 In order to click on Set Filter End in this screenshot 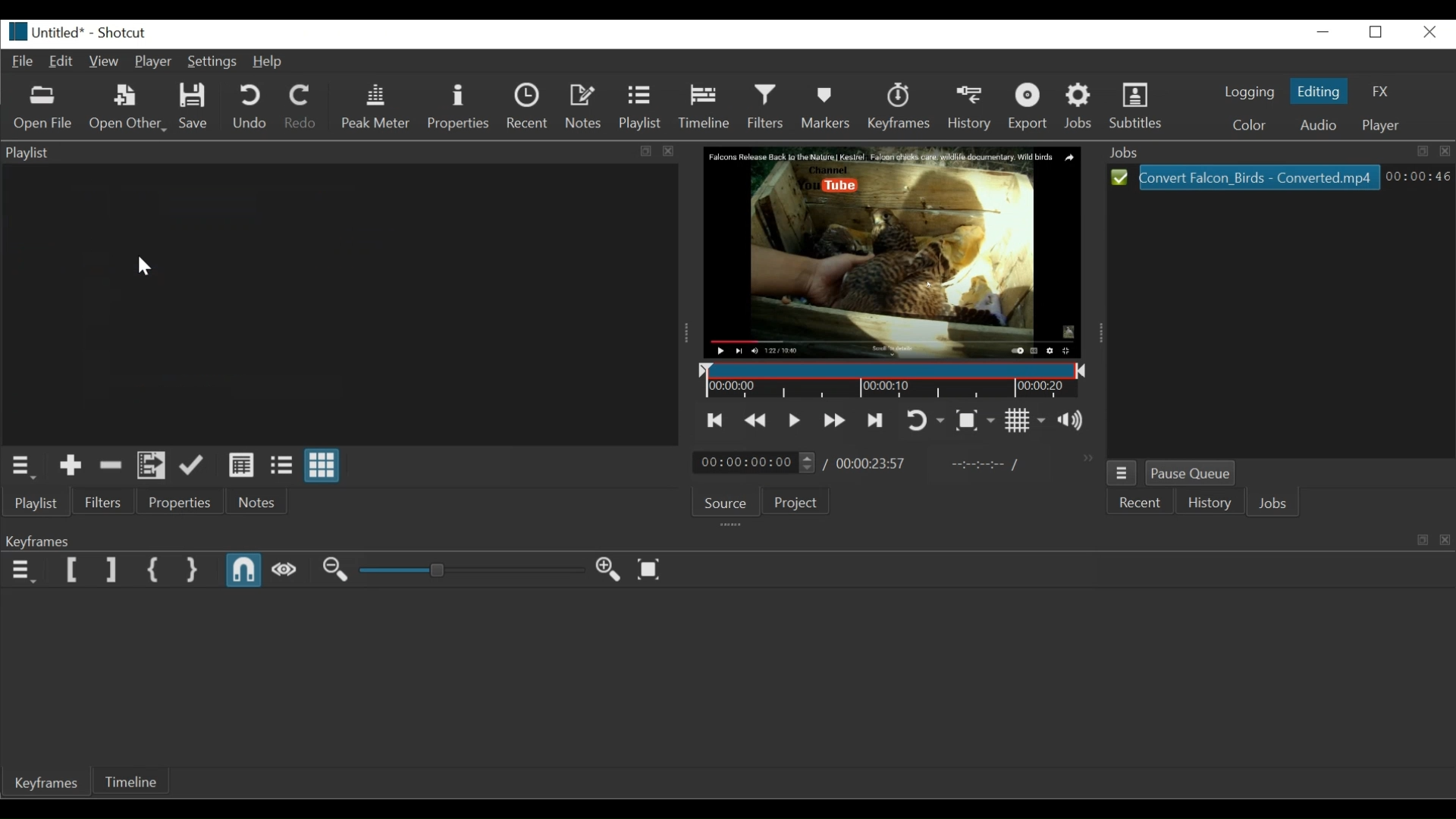, I will do `click(110, 570)`.